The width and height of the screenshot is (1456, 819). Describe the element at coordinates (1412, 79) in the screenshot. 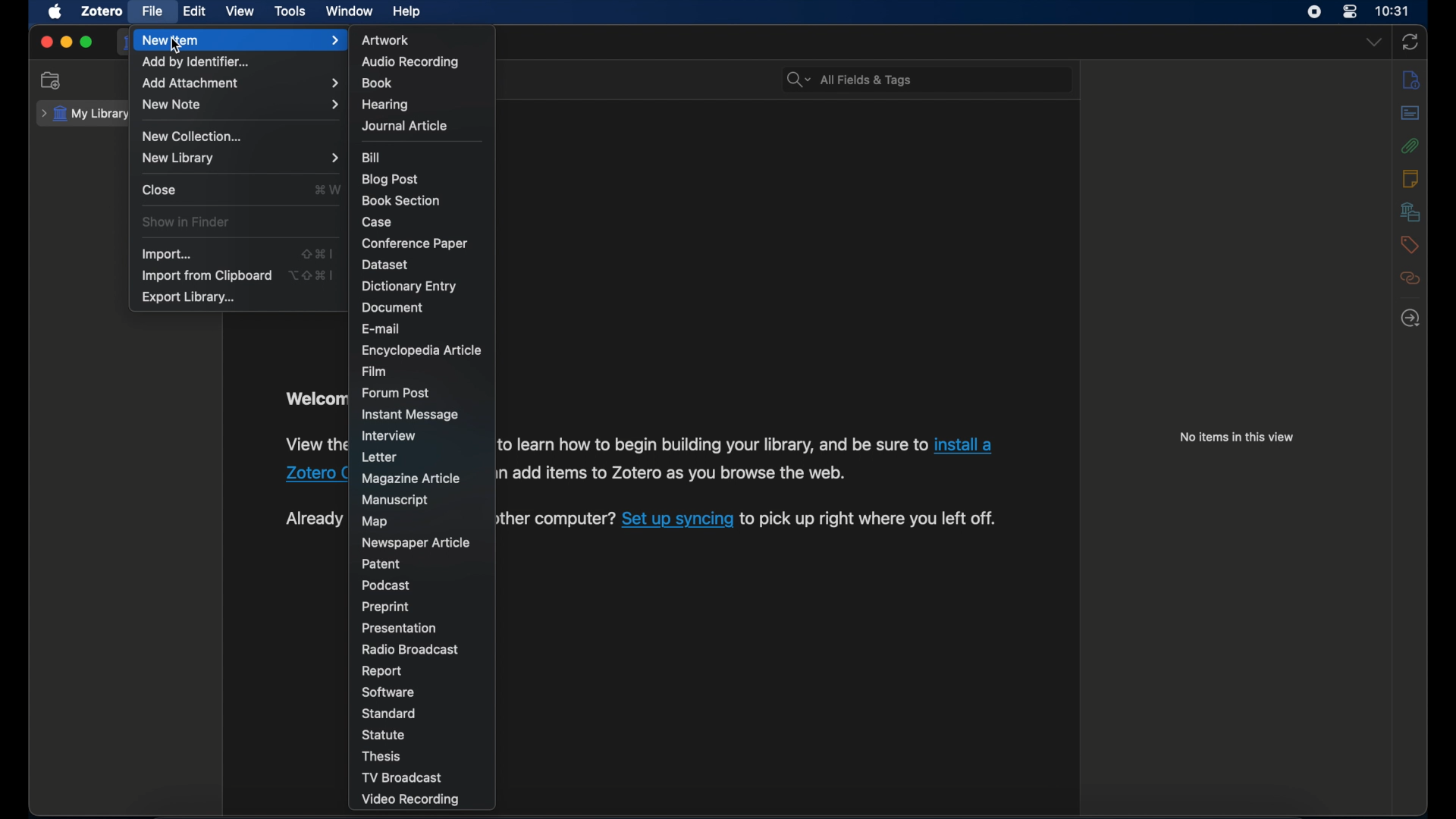

I see `info` at that location.